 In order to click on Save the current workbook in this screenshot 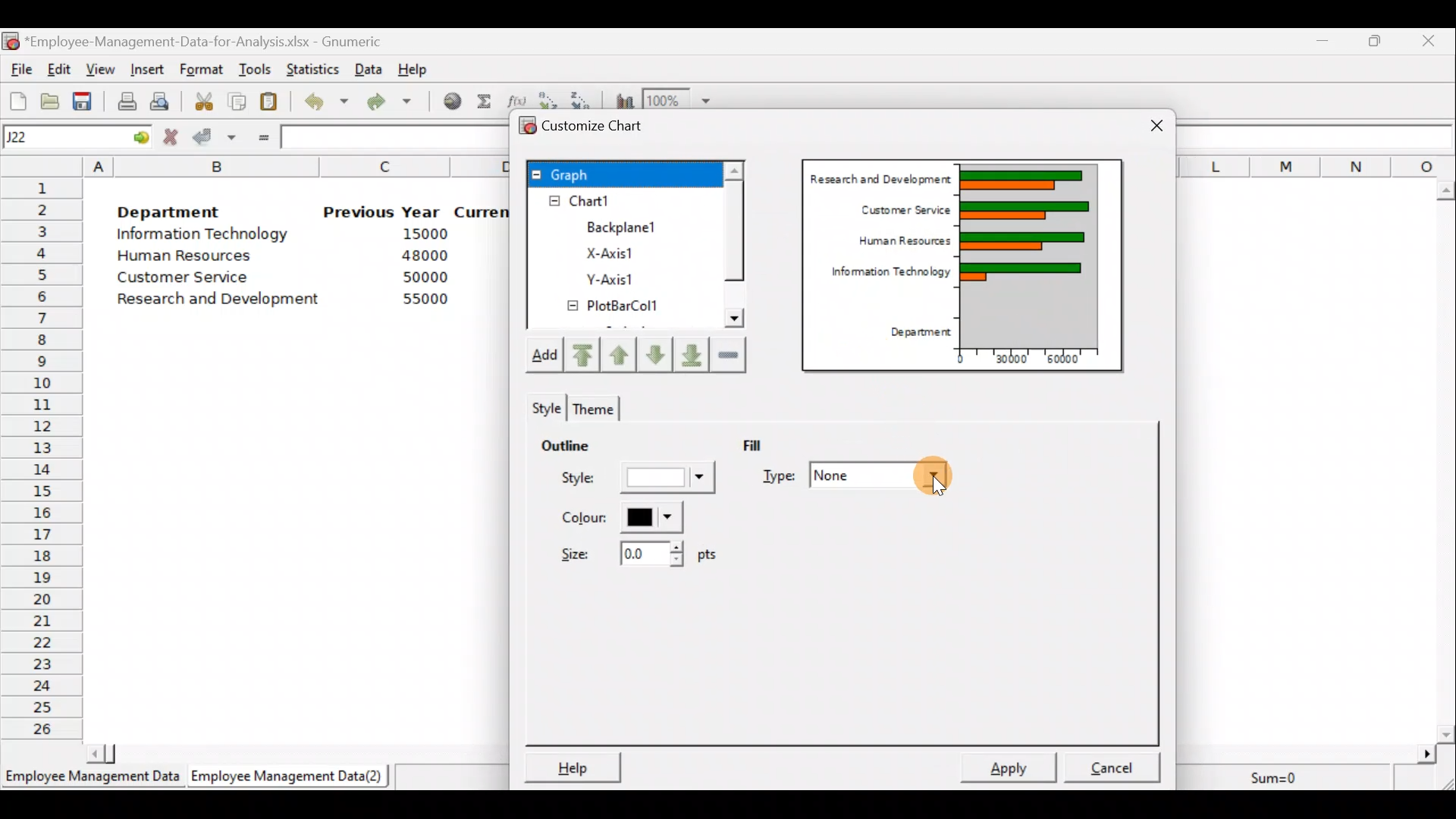, I will do `click(83, 99)`.